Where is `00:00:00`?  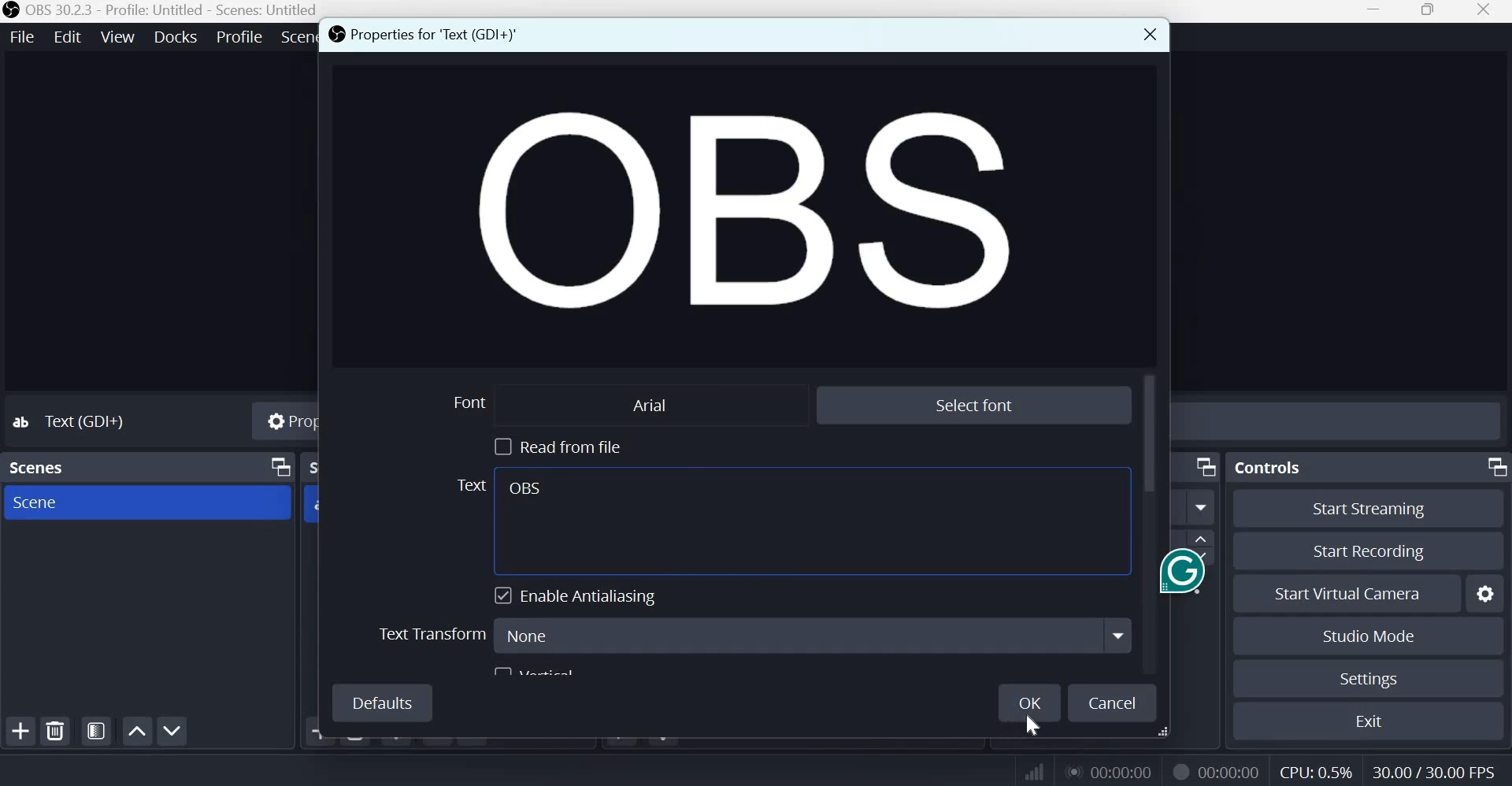 00:00:00 is located at coordinates (1106, 771).